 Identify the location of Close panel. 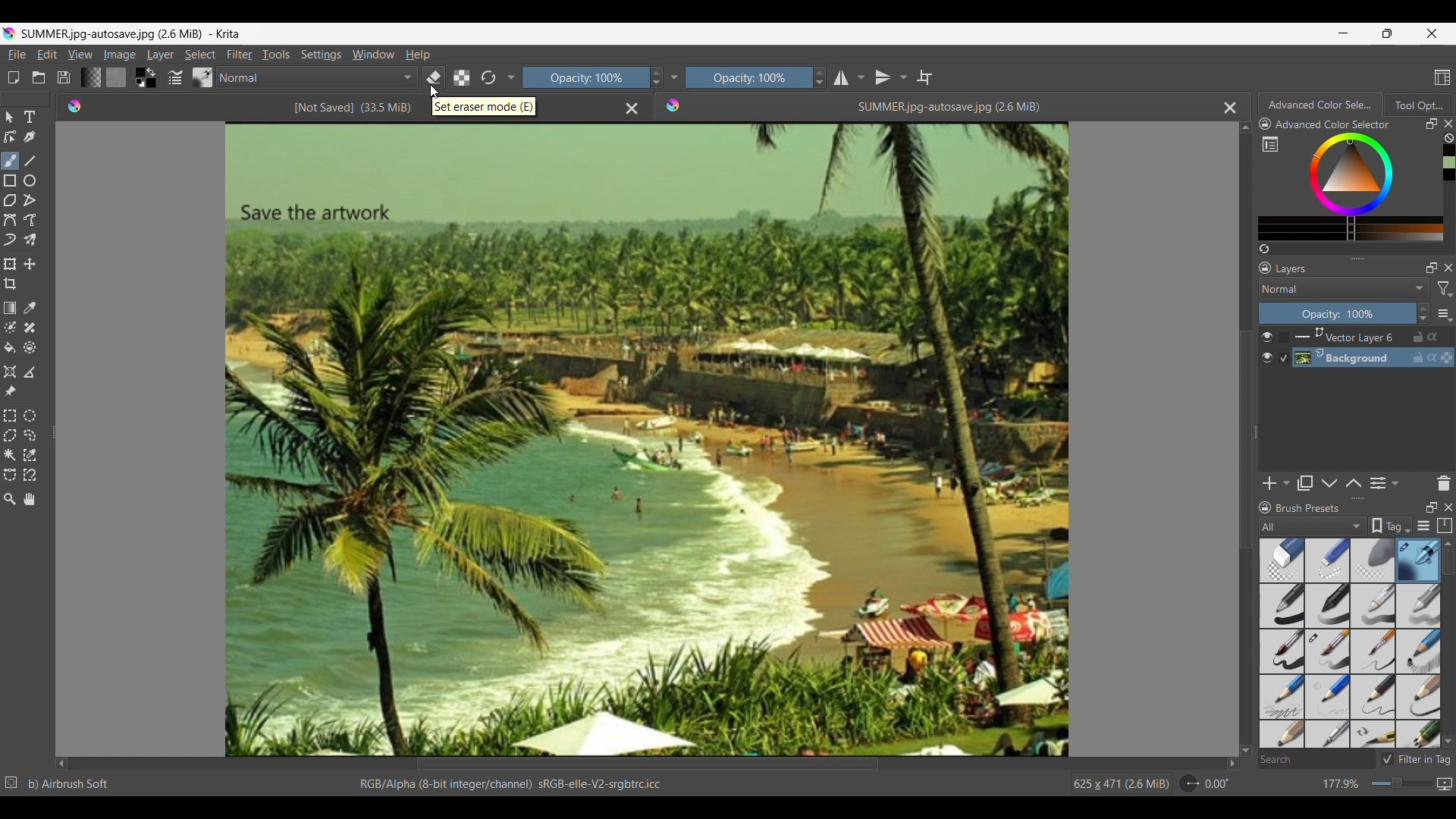
(1448, 507).